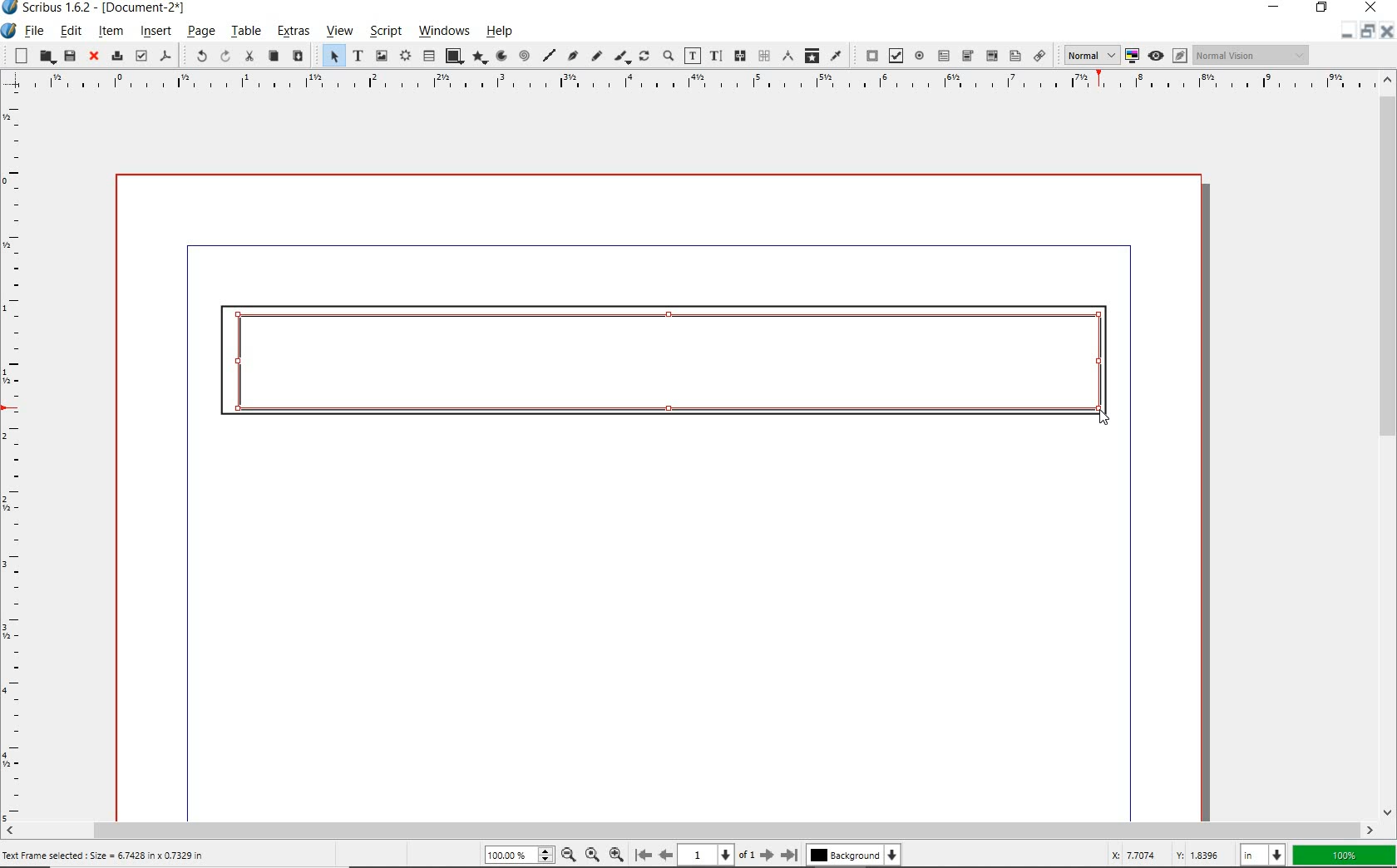 This screenshot has width=1397, height=868. What do you see at coordinates (155, 32) in the screenshot?
I see `insert` at bounding box center [155, 32].